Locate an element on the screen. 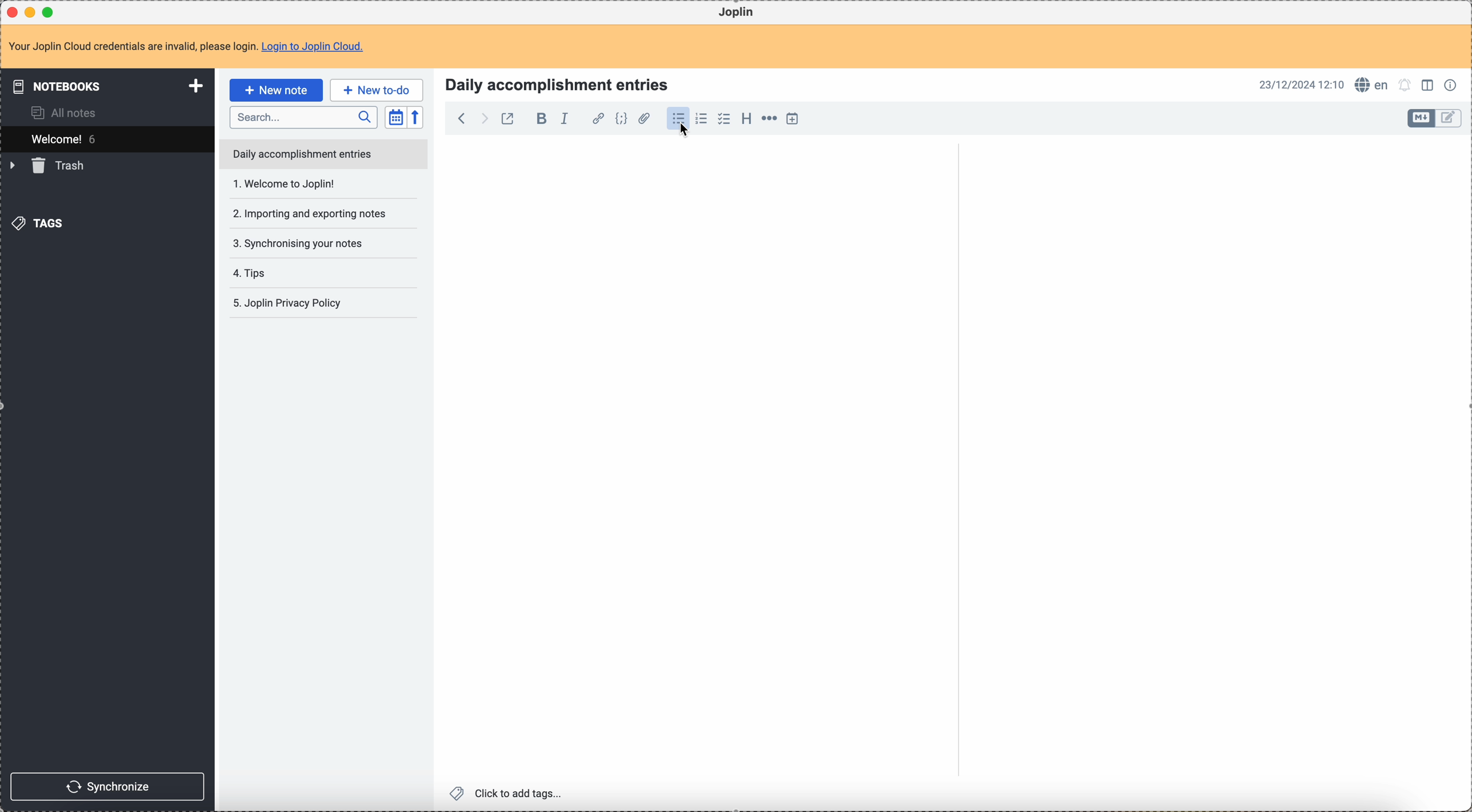 This screenshot has height=812, width=1472. synchronising your notes is located at coordinates (303, 214).